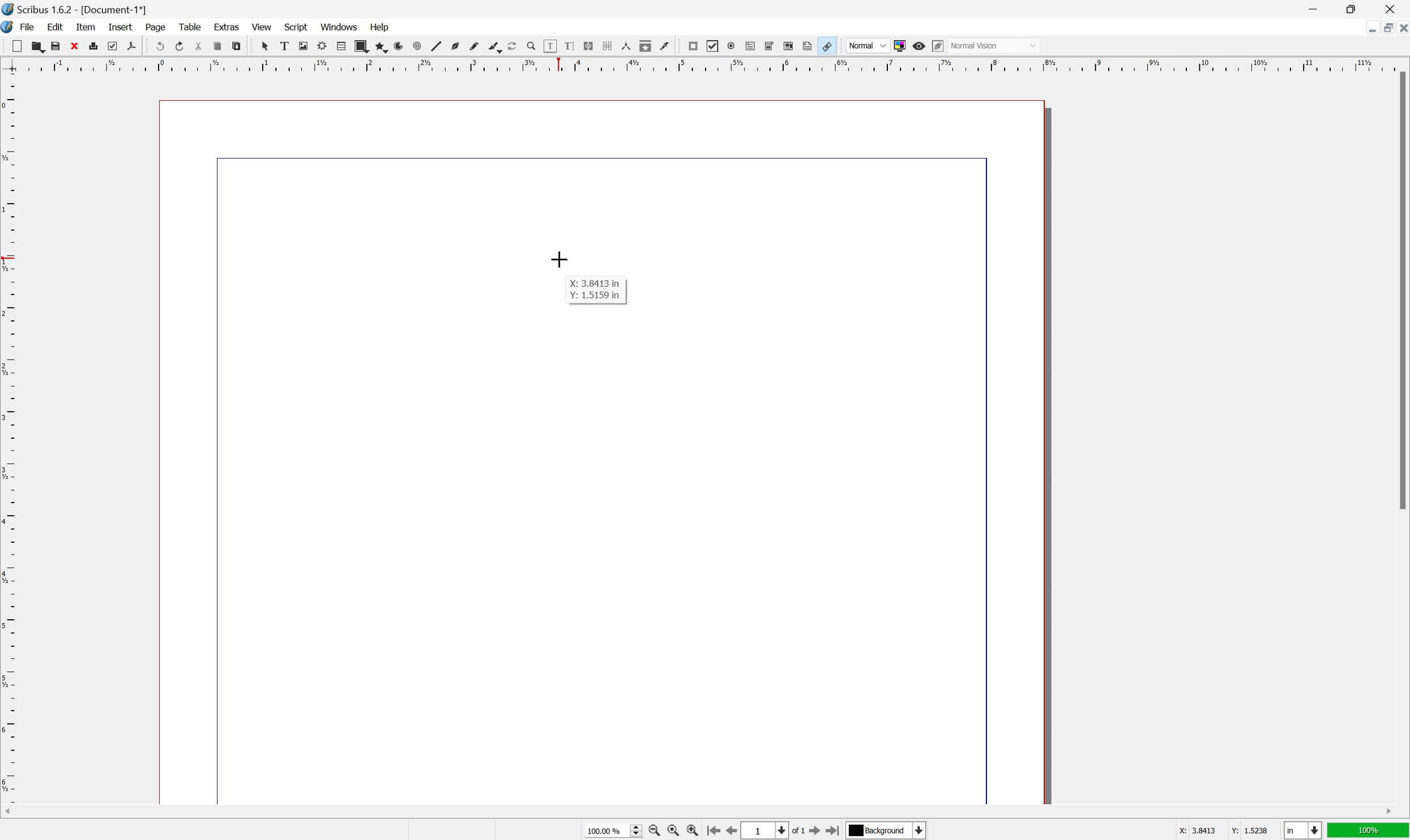 The width and height of the screenshot is (1410, 840). Describe the element at coordinates (608, 46) in the screenshot. I see `unlink text frames` at that location.